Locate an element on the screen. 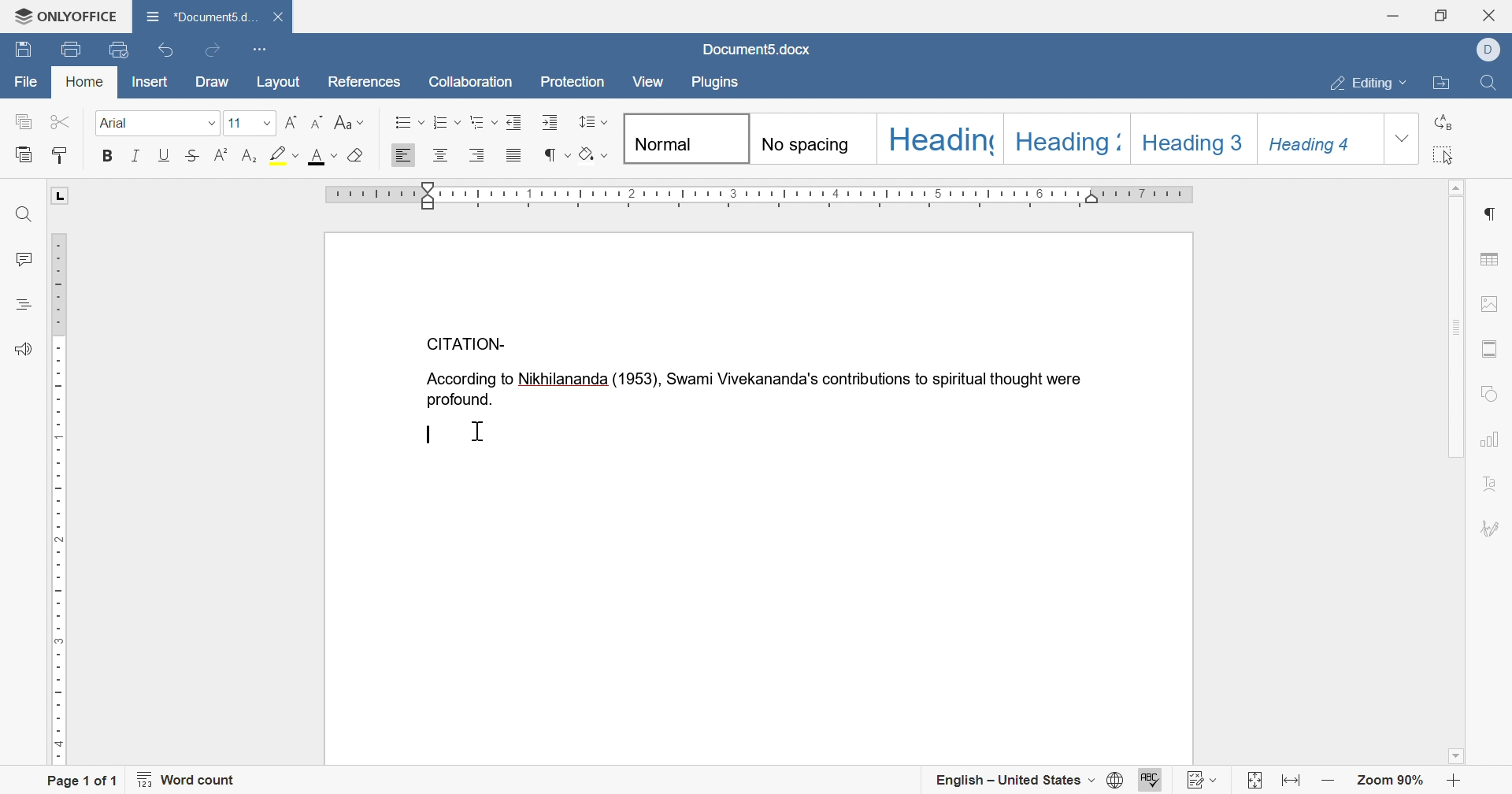 The height and width of the screenshot is (794, 1512). close is located at coordinates (278, 18).